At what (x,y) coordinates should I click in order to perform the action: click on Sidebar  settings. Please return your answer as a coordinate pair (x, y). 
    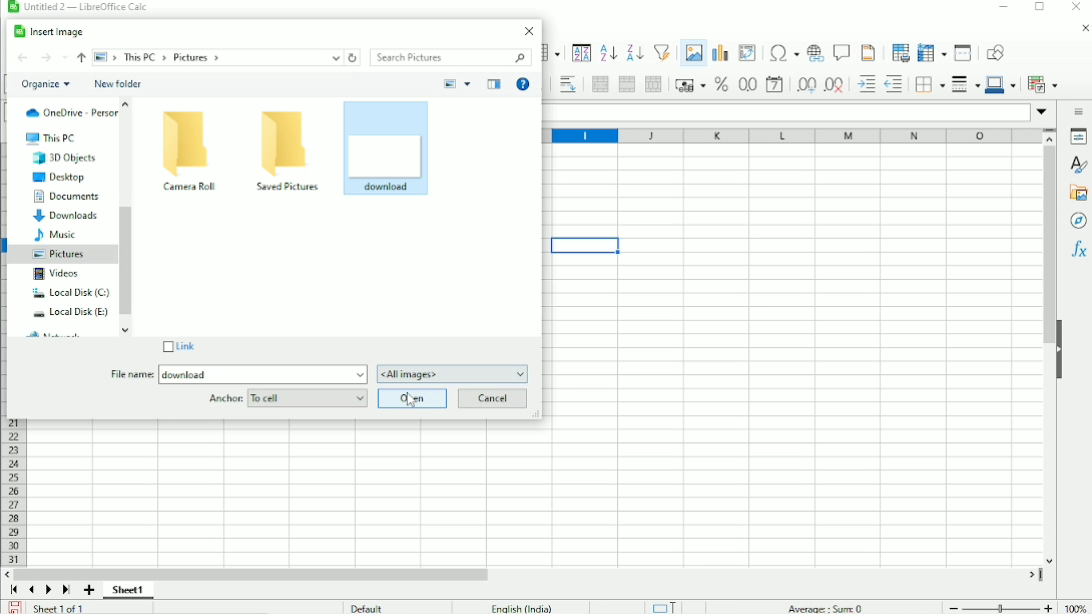
    Looking at the image, I should click on (1078, 113).